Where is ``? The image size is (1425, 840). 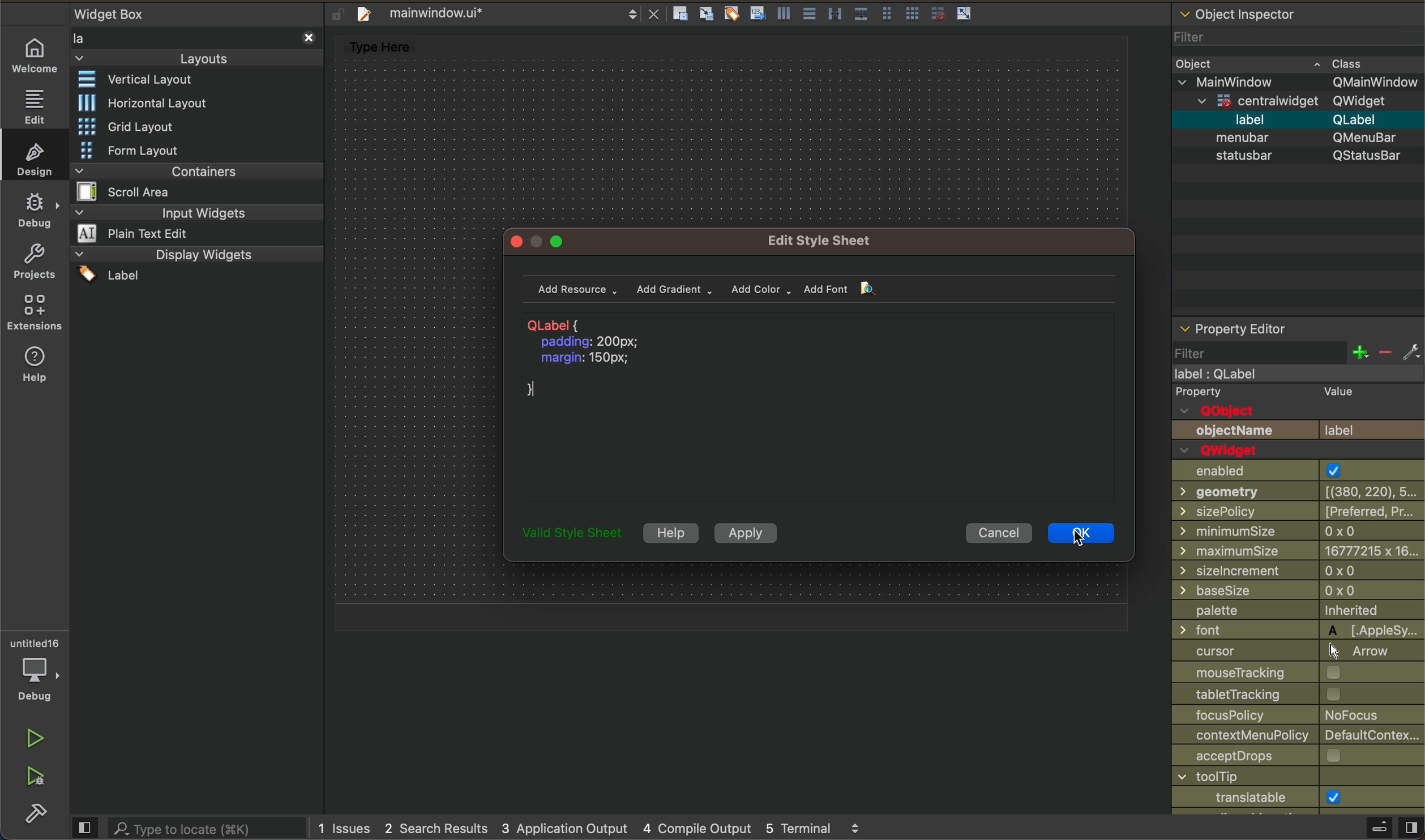
 is located at coordinates (1266, 695).